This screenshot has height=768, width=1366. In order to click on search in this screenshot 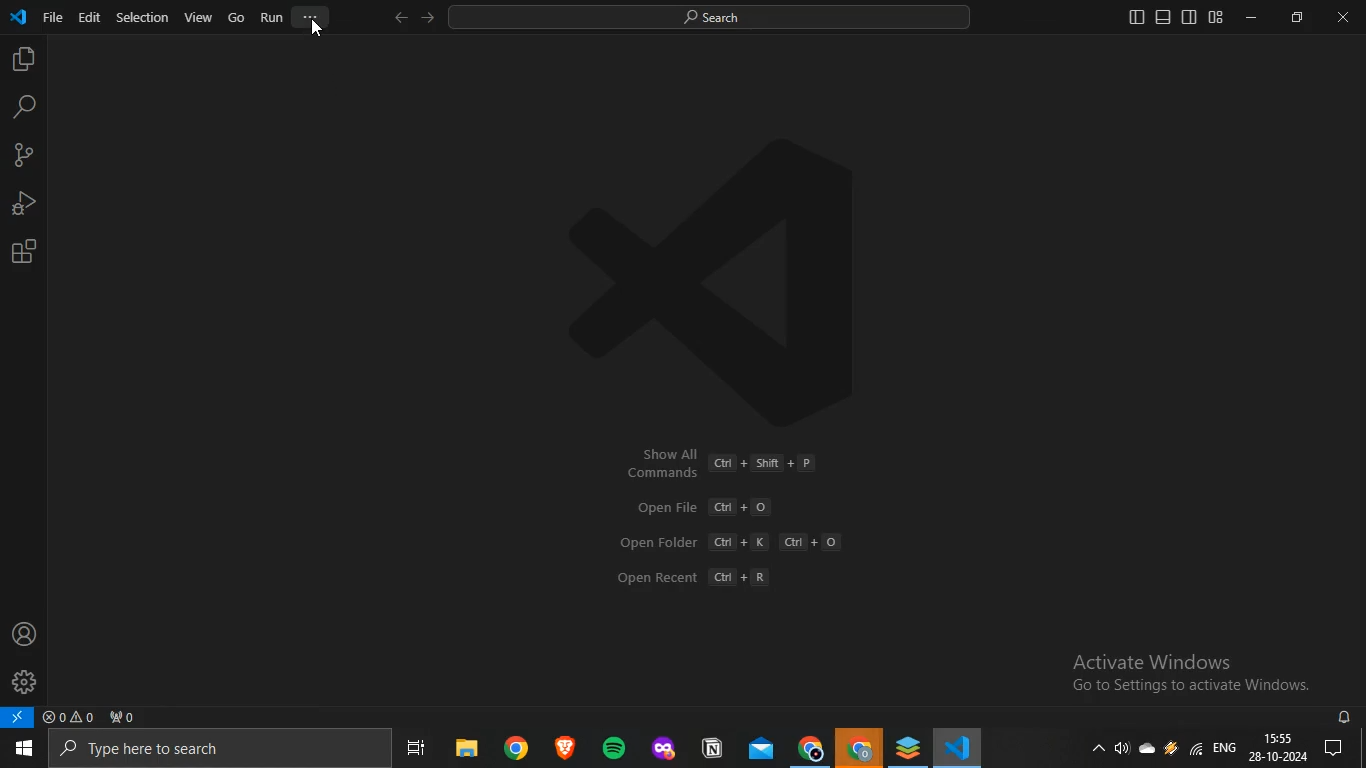, I will do `click(722, 18)`.